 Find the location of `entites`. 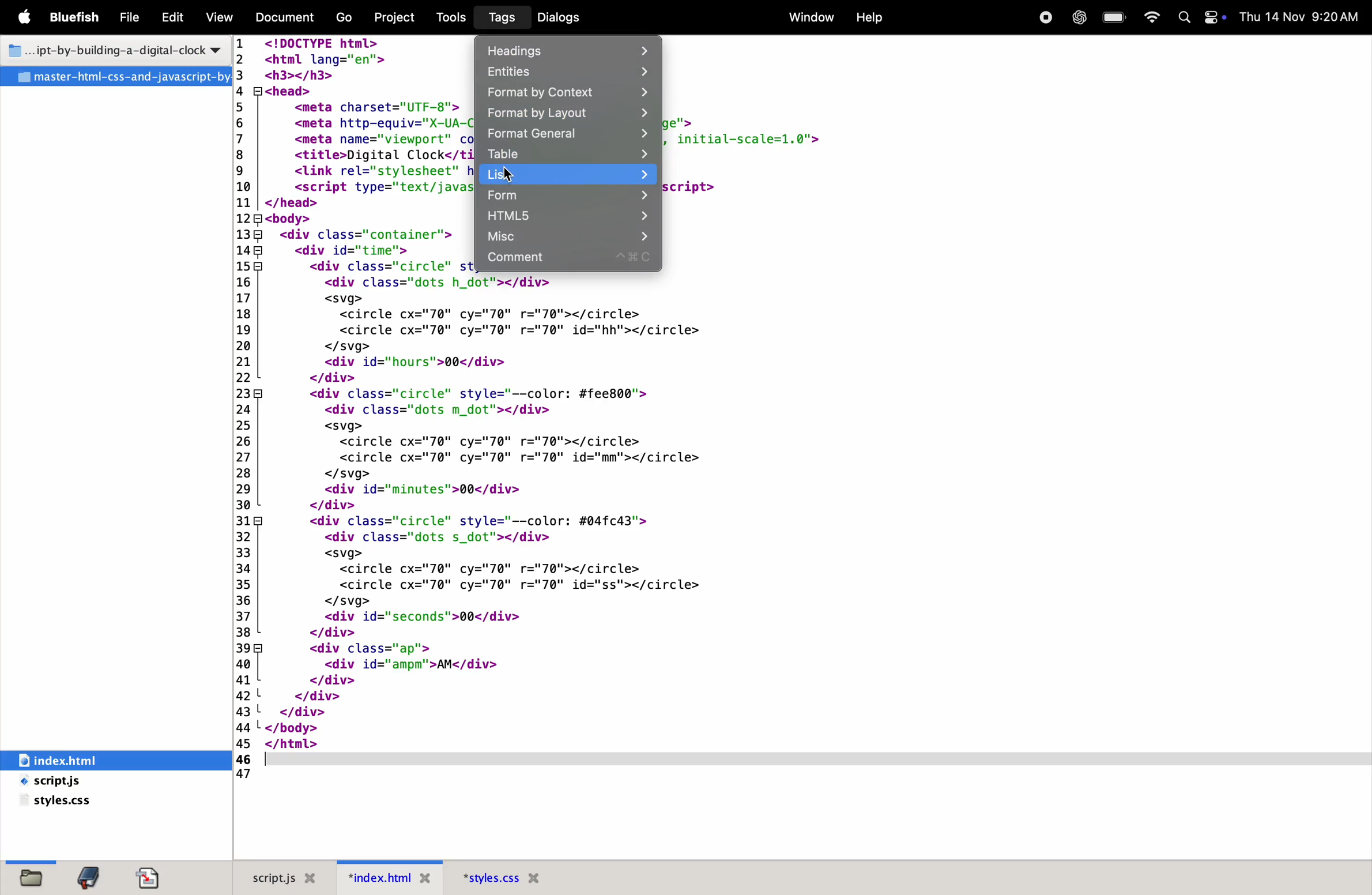

entites is located at coordinates (566, 73).